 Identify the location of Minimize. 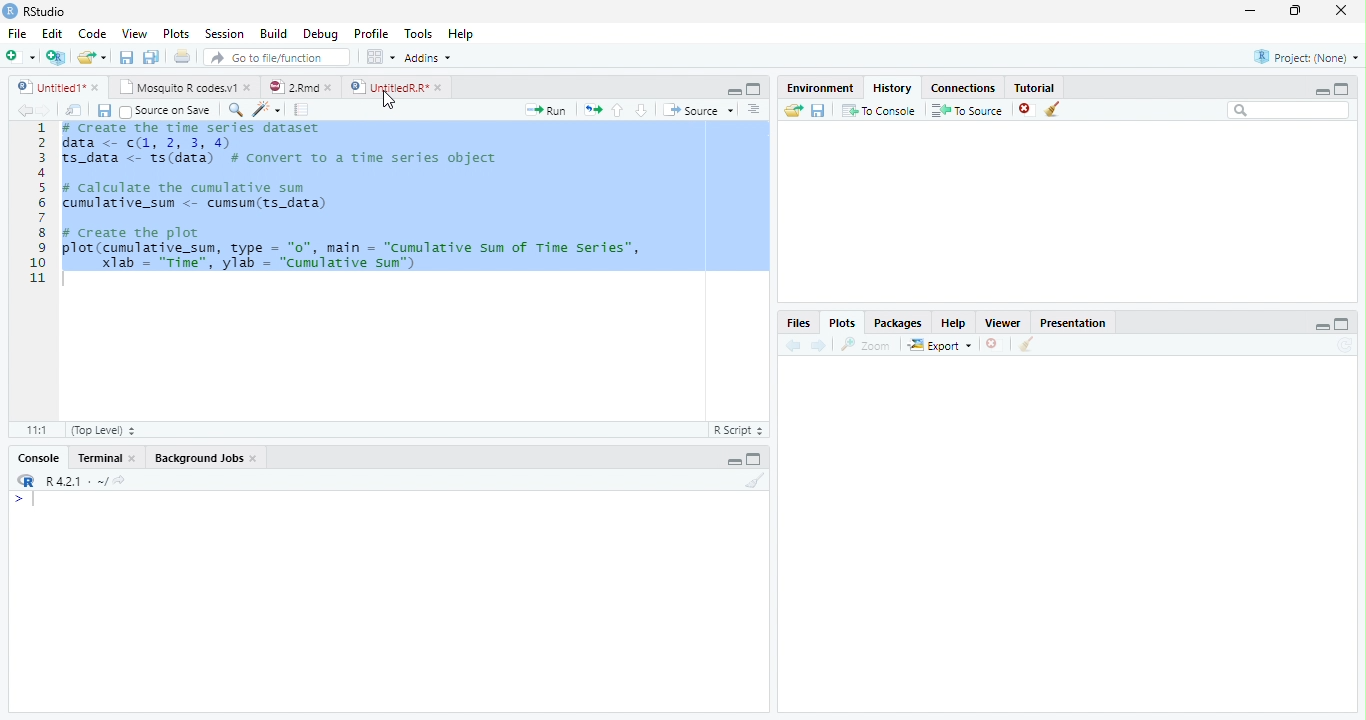
(734, 92).